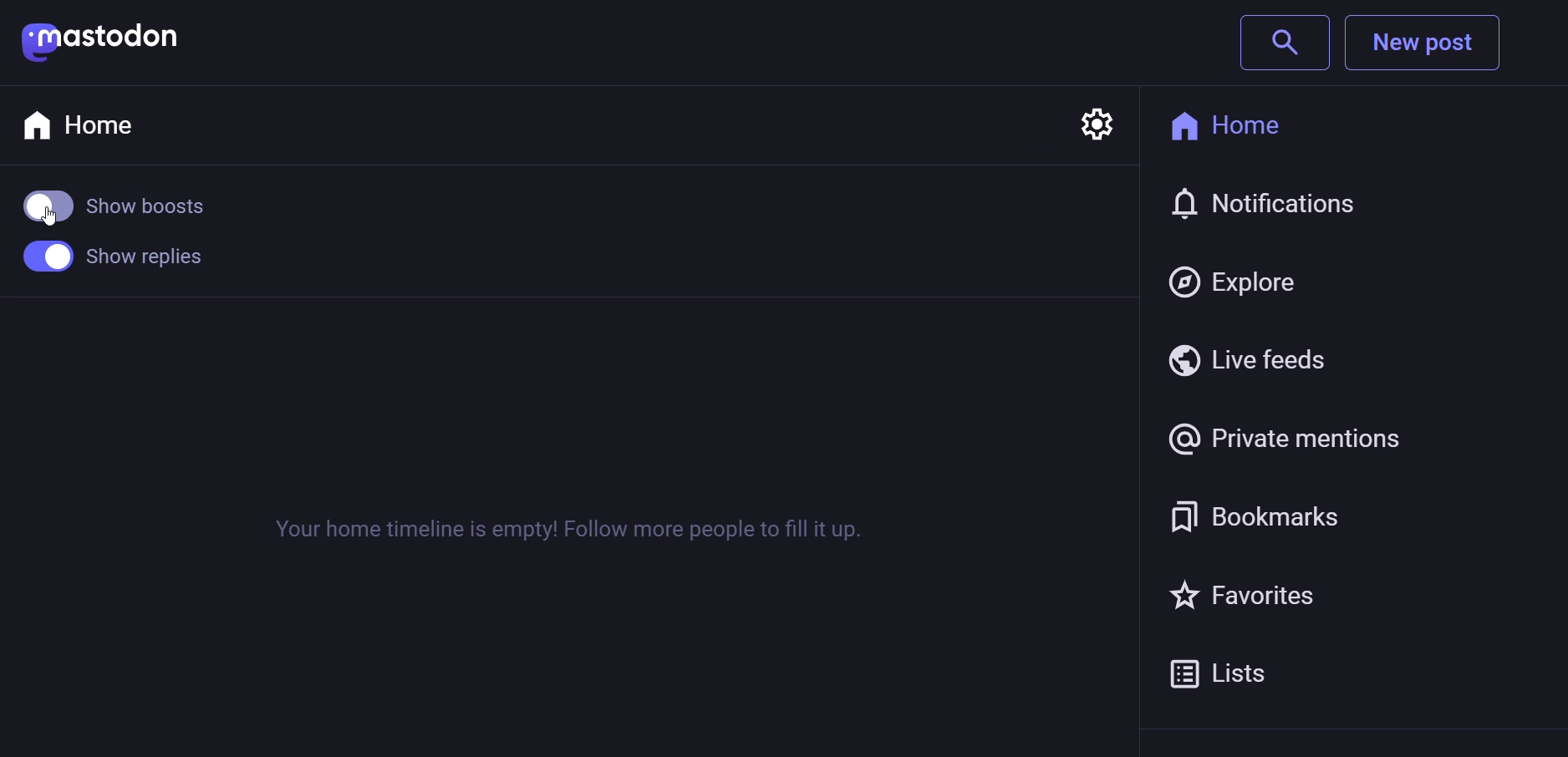  I want to click on live feed, so click(1248, 358).